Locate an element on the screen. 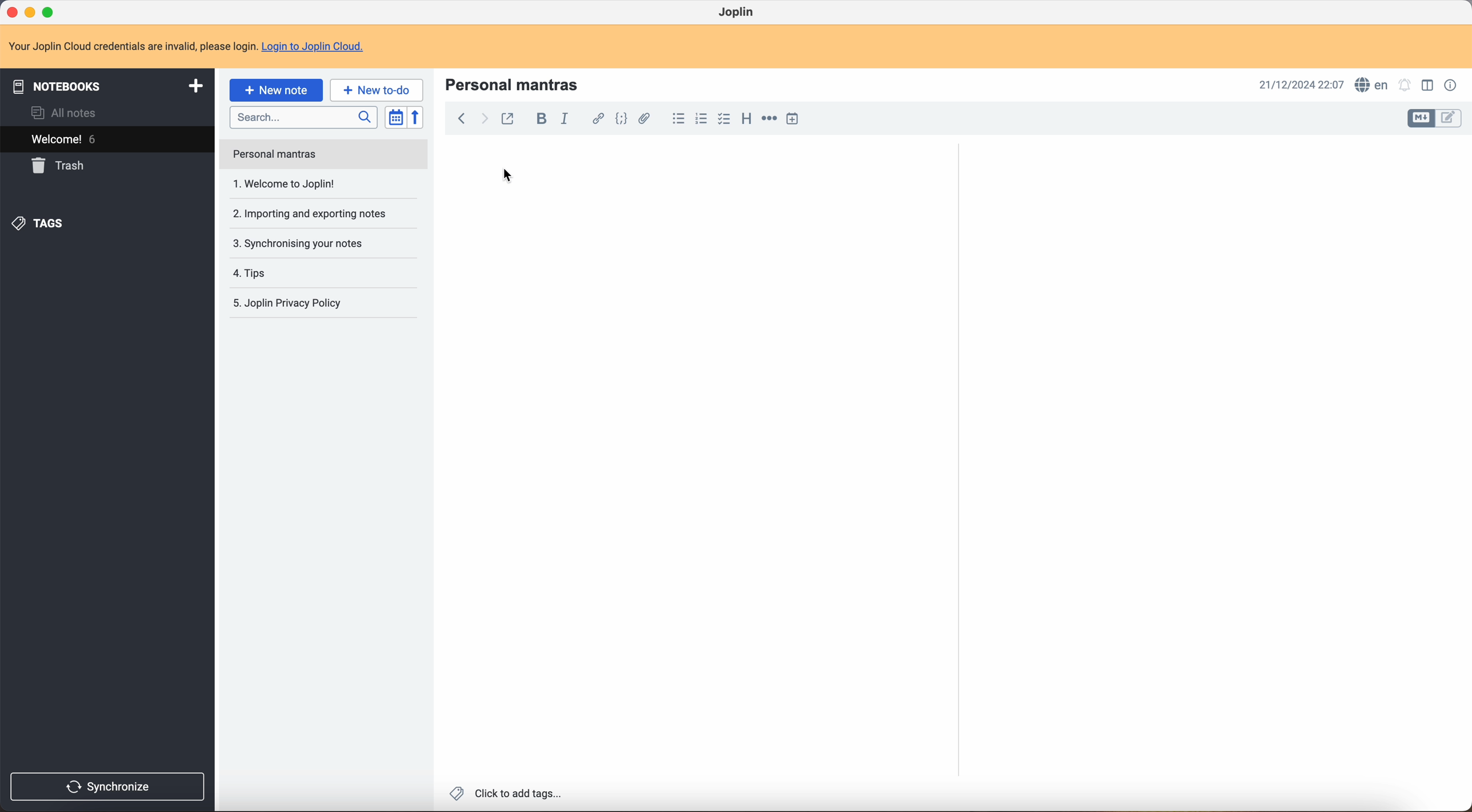 This screenshot has width=1472, height=812. toggle sort order field is located at coordinates (395, 117).